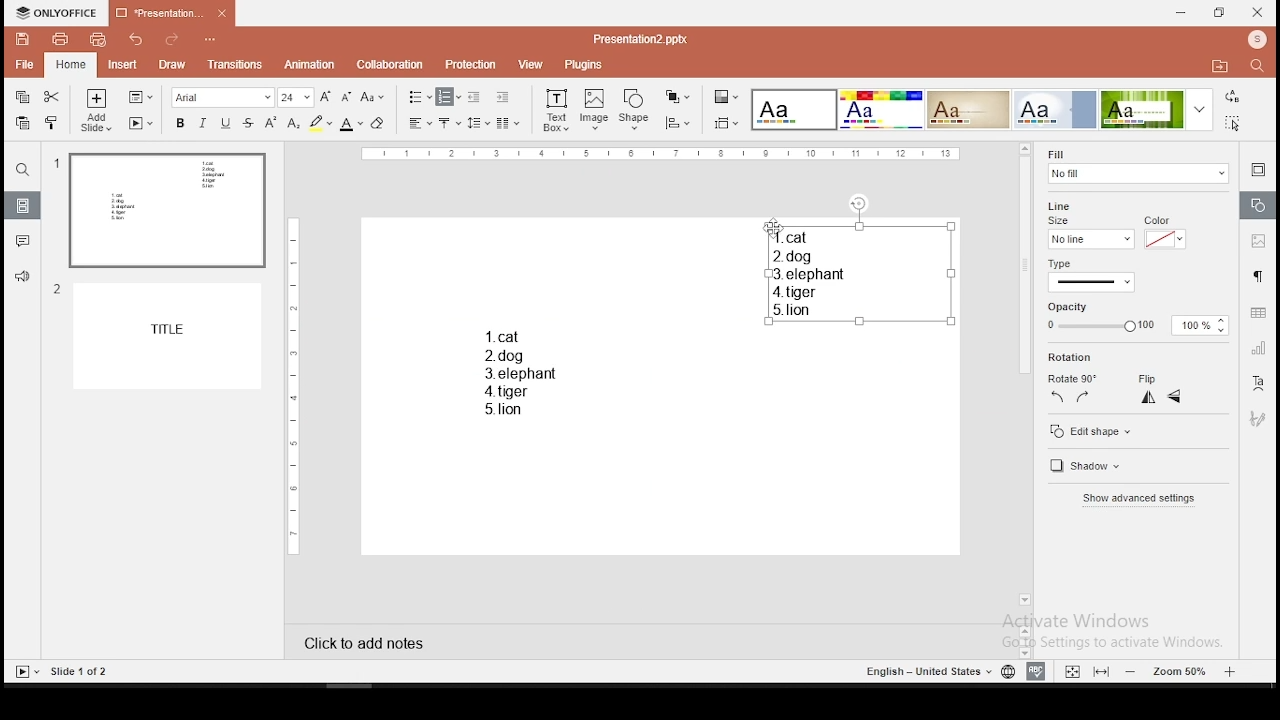 The width and height of the screenshot is (1280, 720). Describe the element at coordinates (420, 98) in the screenshot. I see `bullets` at that location.